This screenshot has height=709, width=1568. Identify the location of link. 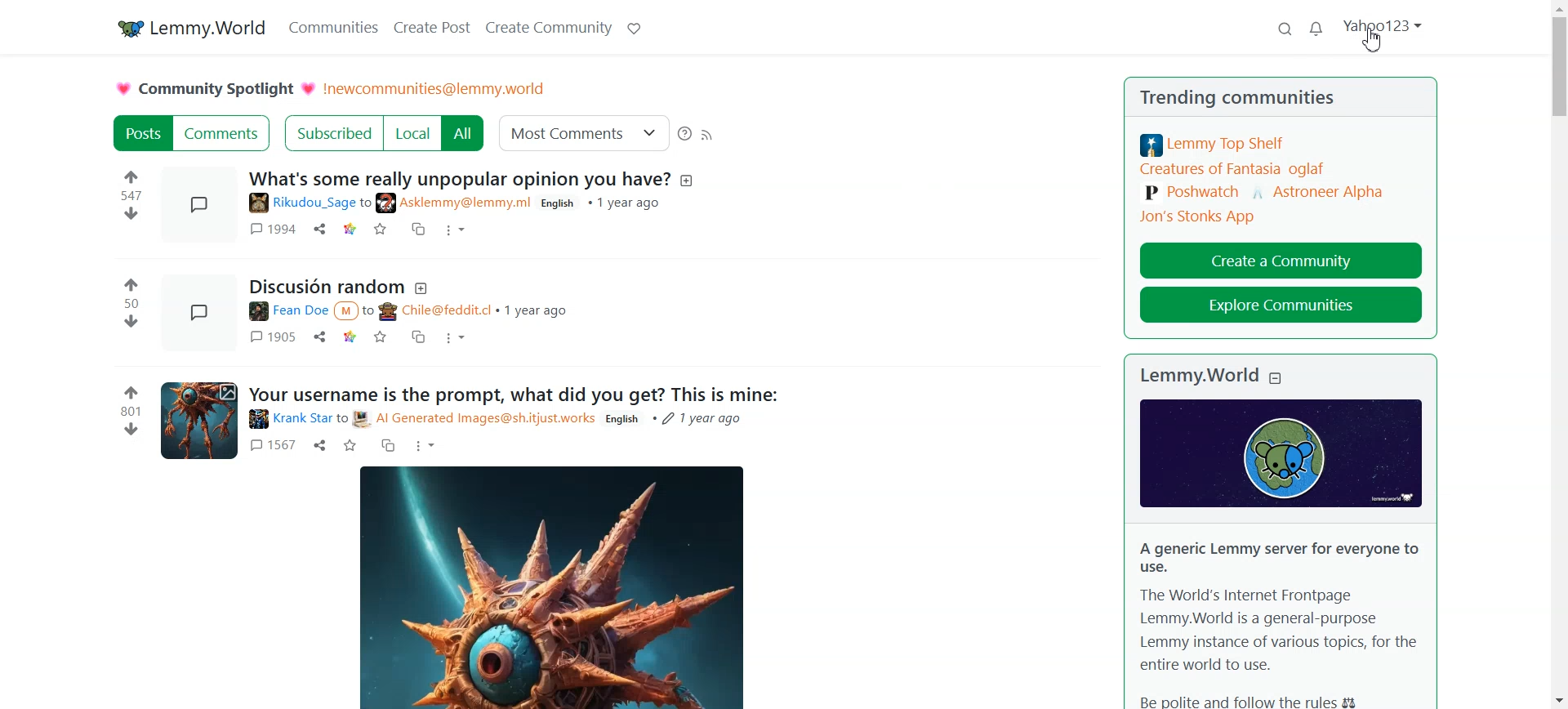
(350, 230).